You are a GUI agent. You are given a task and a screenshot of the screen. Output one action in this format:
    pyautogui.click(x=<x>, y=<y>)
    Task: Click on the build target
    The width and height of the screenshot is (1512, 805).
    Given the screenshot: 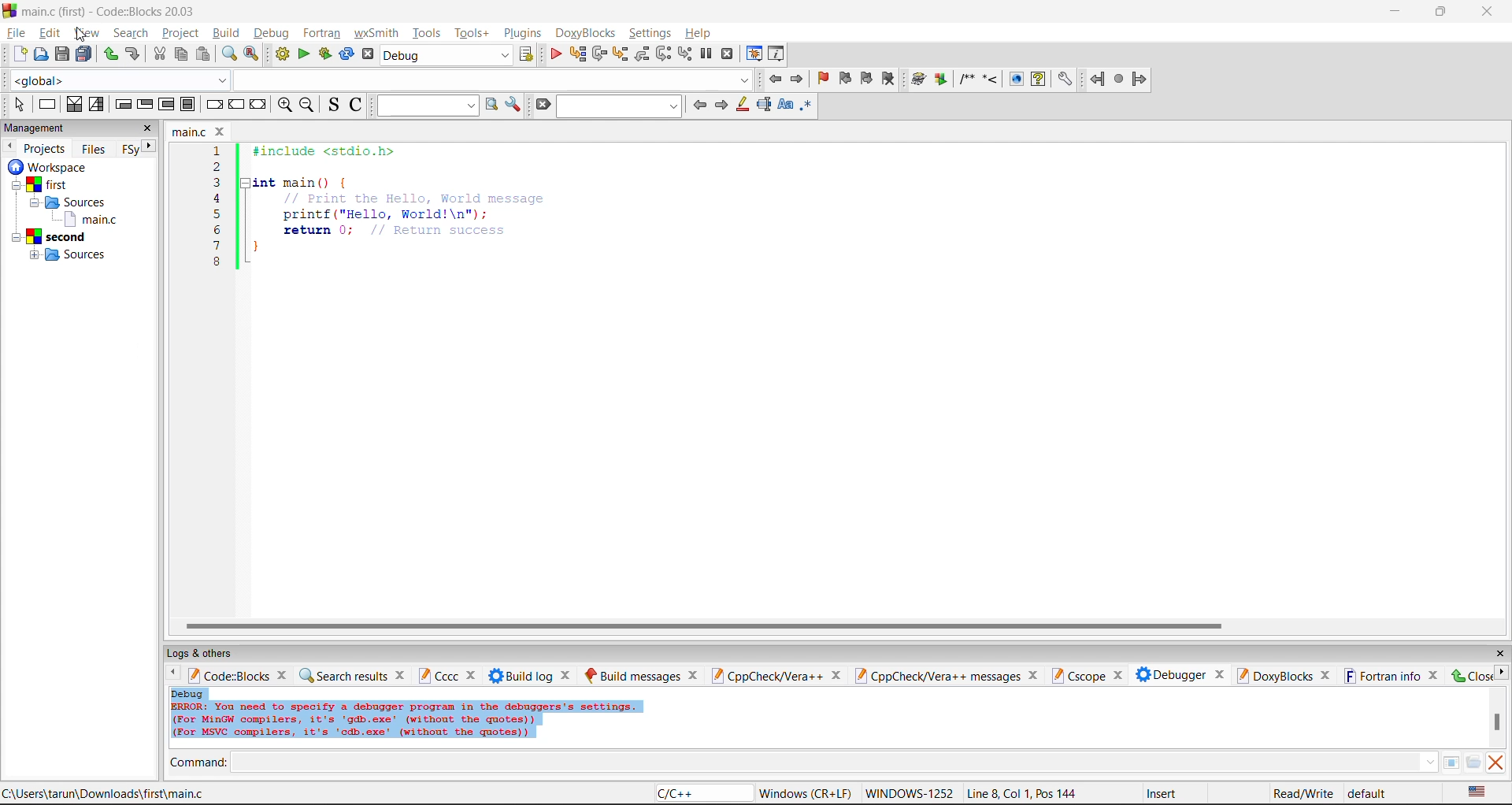 What is the action you would take?
    pyautogui.click(x=447, y=55)
    